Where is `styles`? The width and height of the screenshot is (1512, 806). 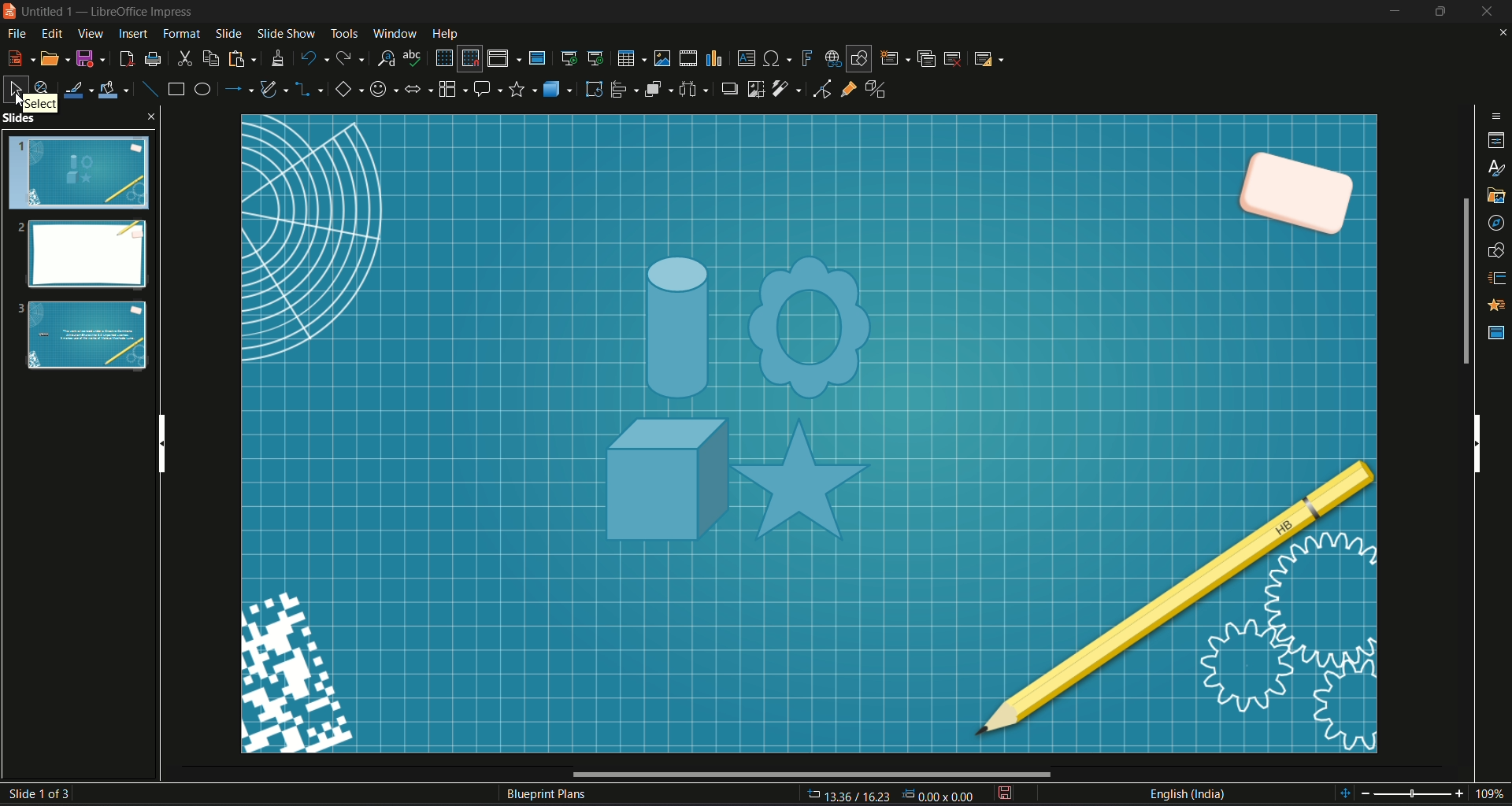
styles is located at coordinates (1498, 170).